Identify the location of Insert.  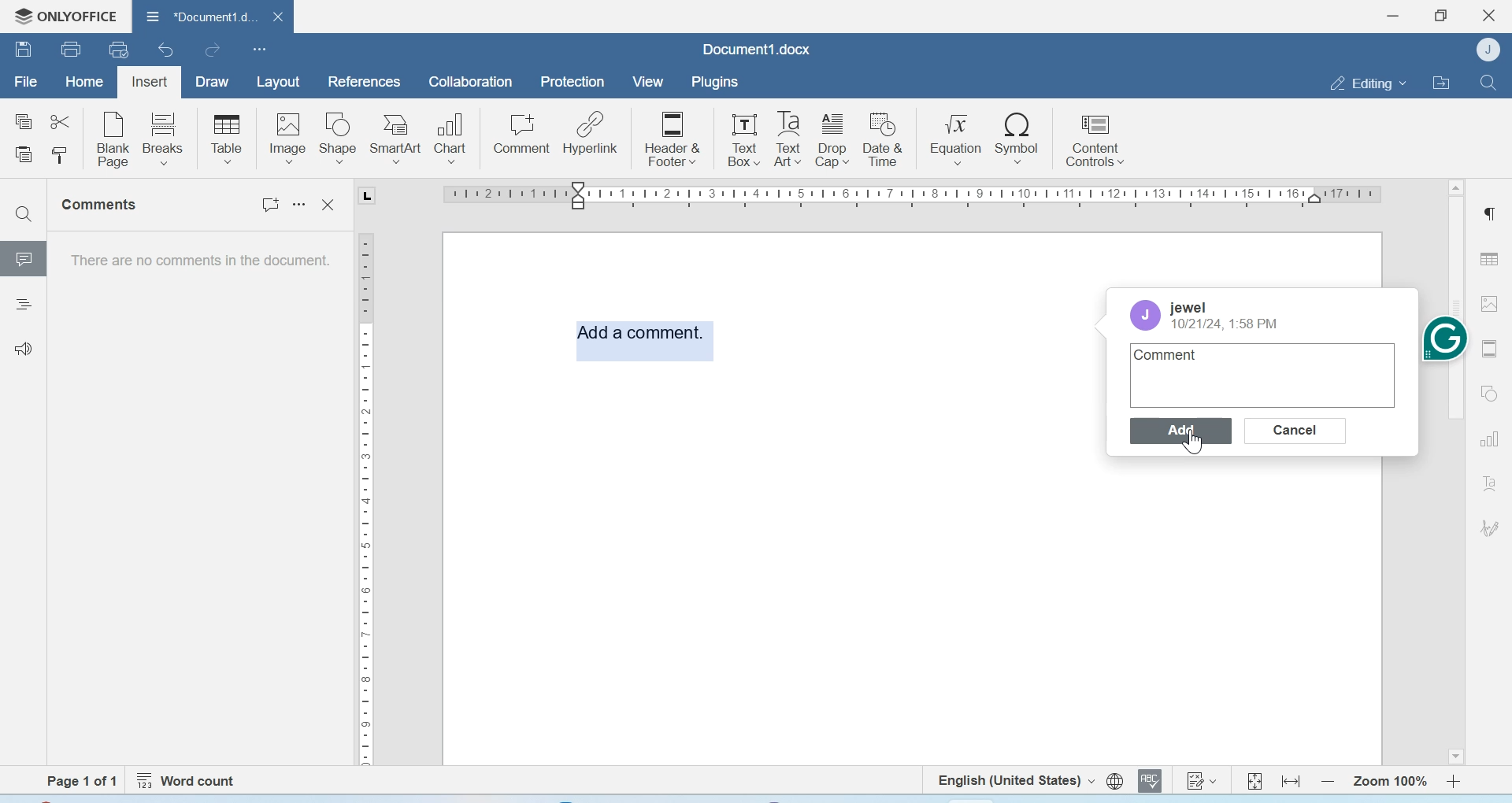
(149, 83).